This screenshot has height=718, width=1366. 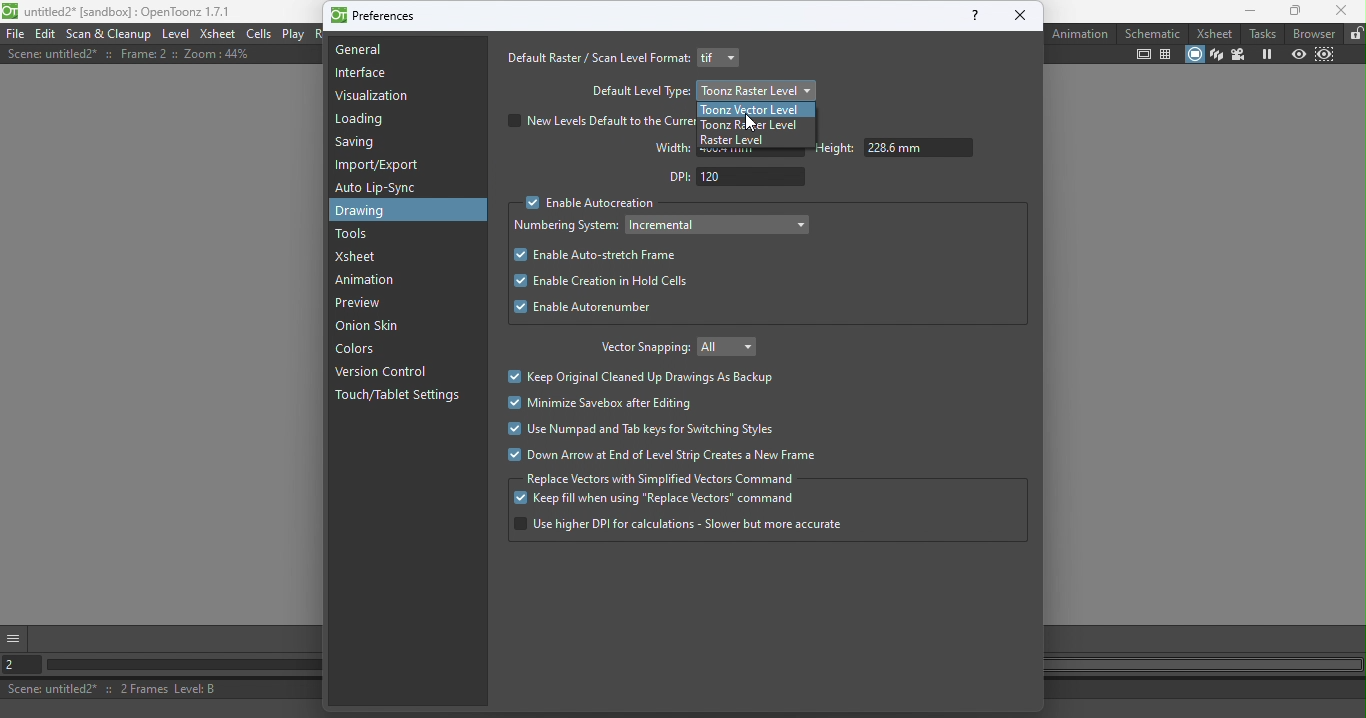 I want to click on Maximize, so click(x=1292, y=12).